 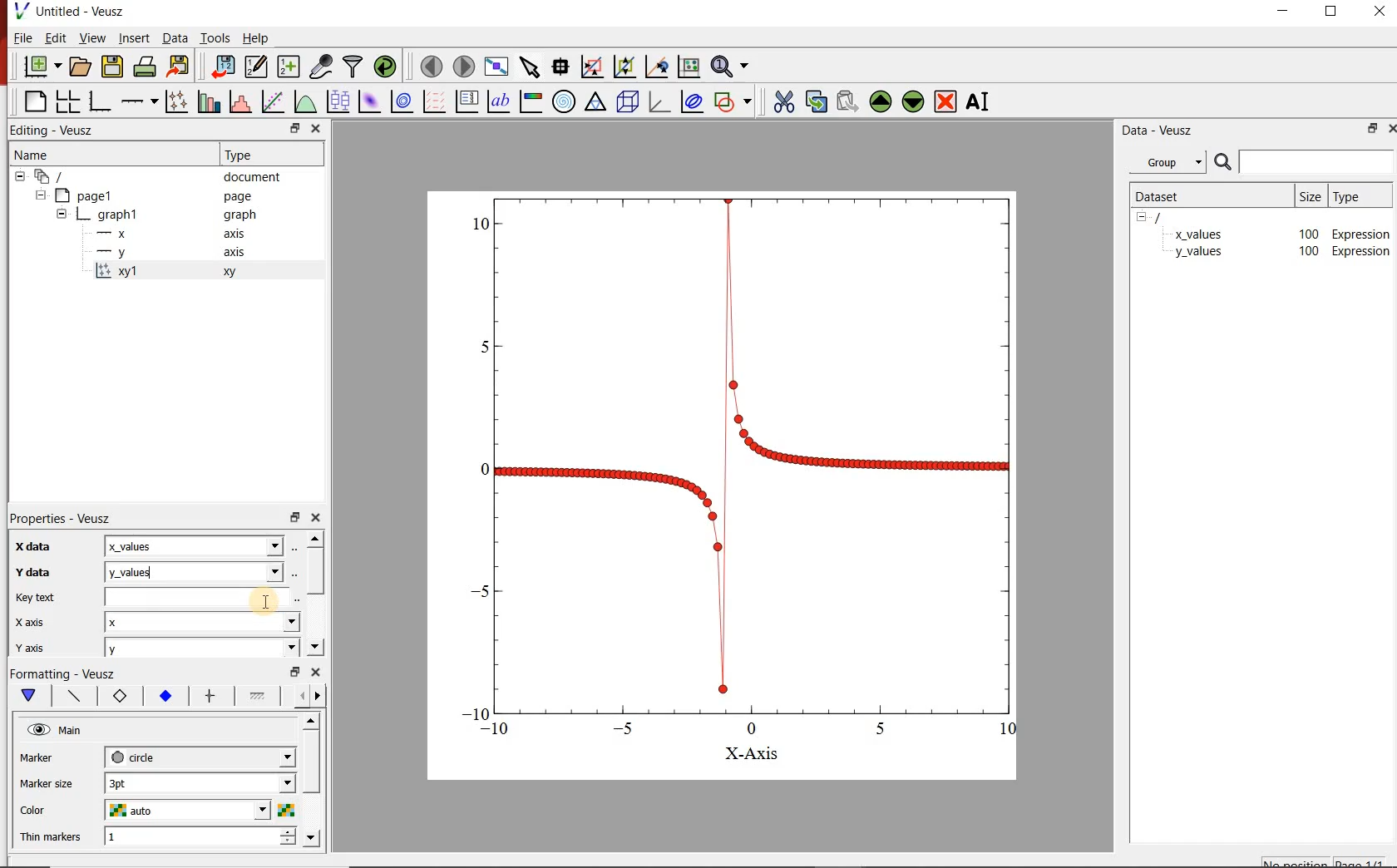 What do you see at coordinates (318, 517) in the screenshot?
I see `close` at bounding box center [318, 517].